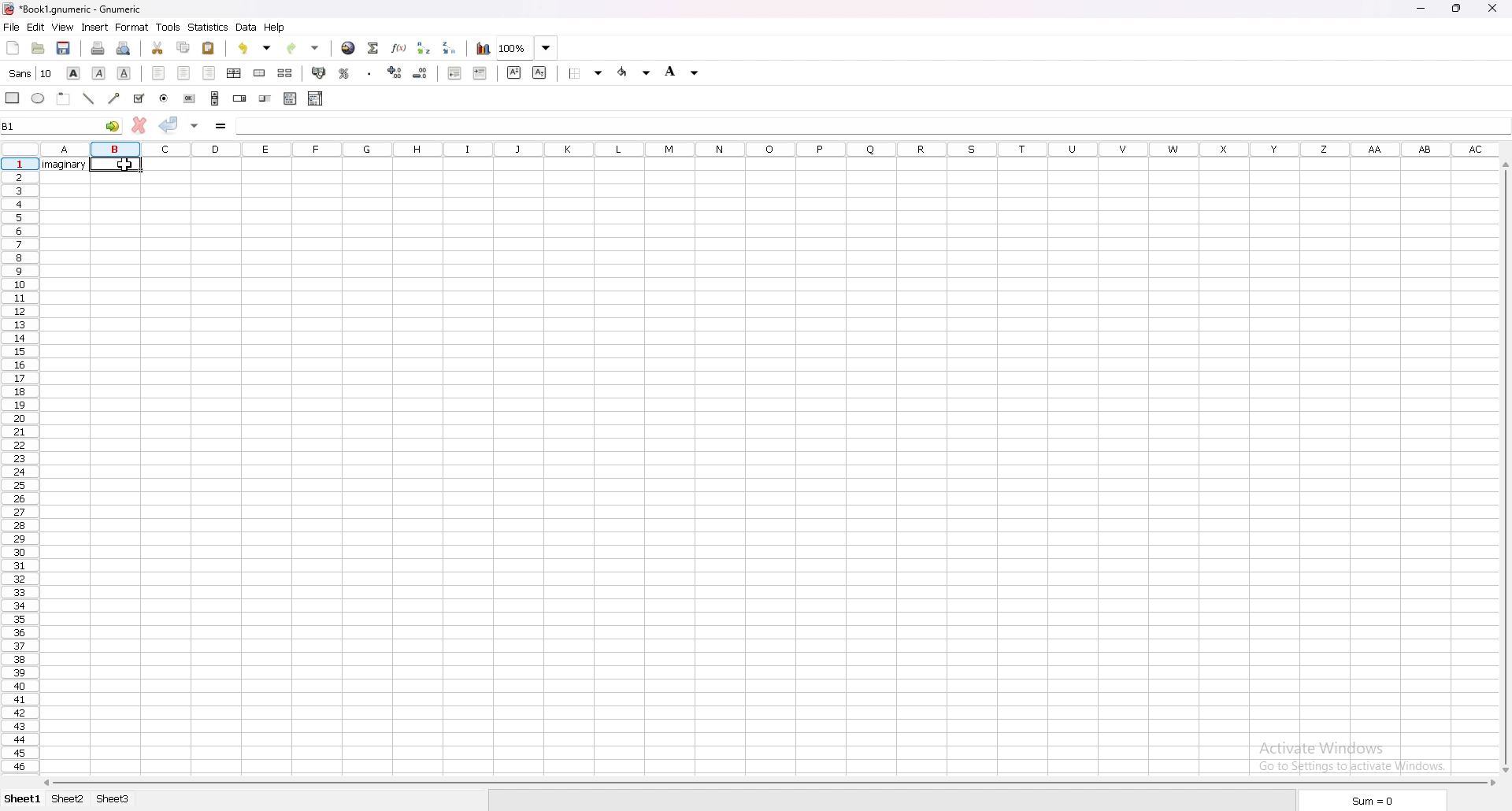  What do you see at coordinates (454, 73) in the screenshot?
I see `decrease indent` at bounding box center [454, 73].